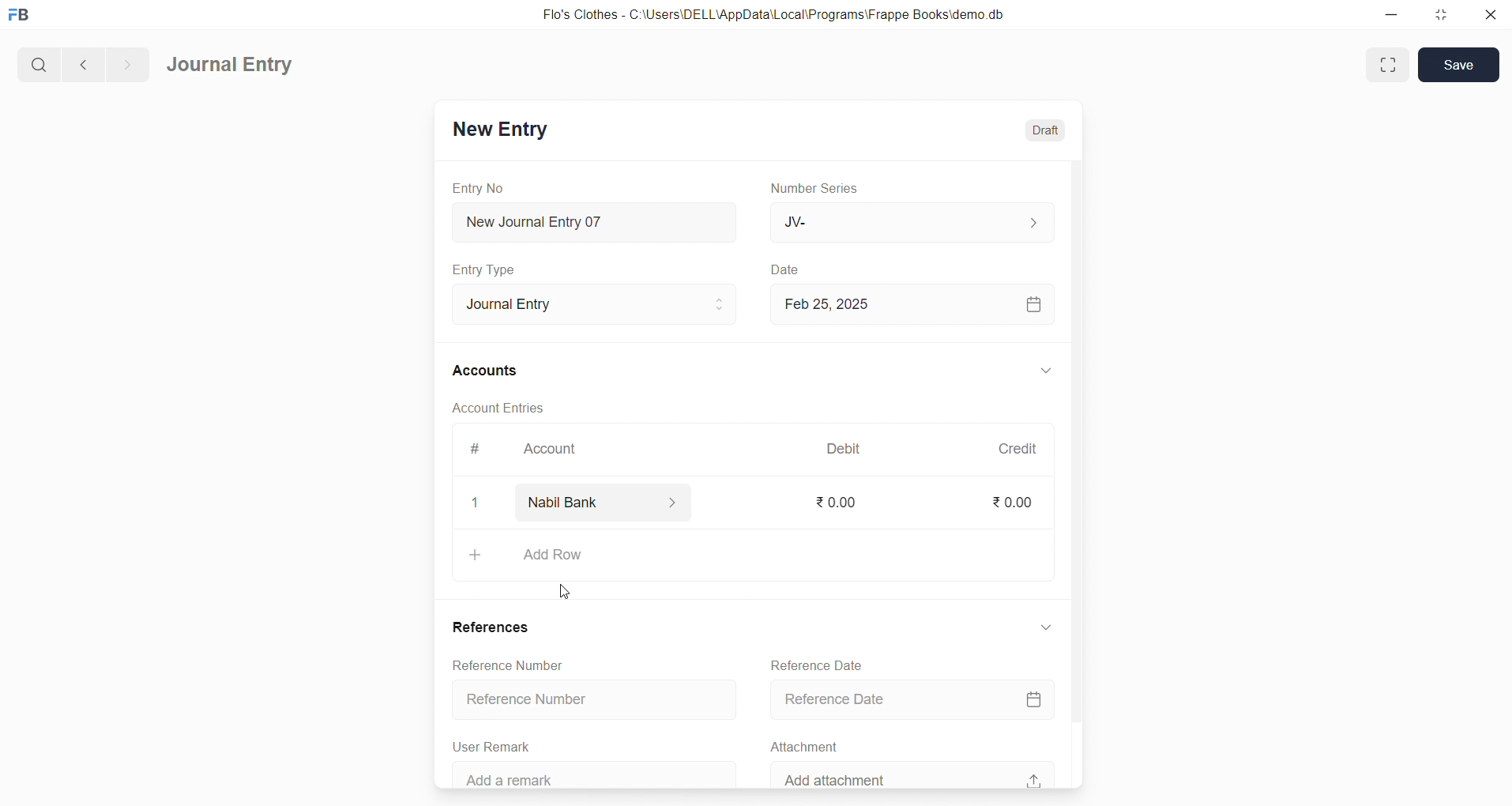  I want to click on logo, so click(23, 16).